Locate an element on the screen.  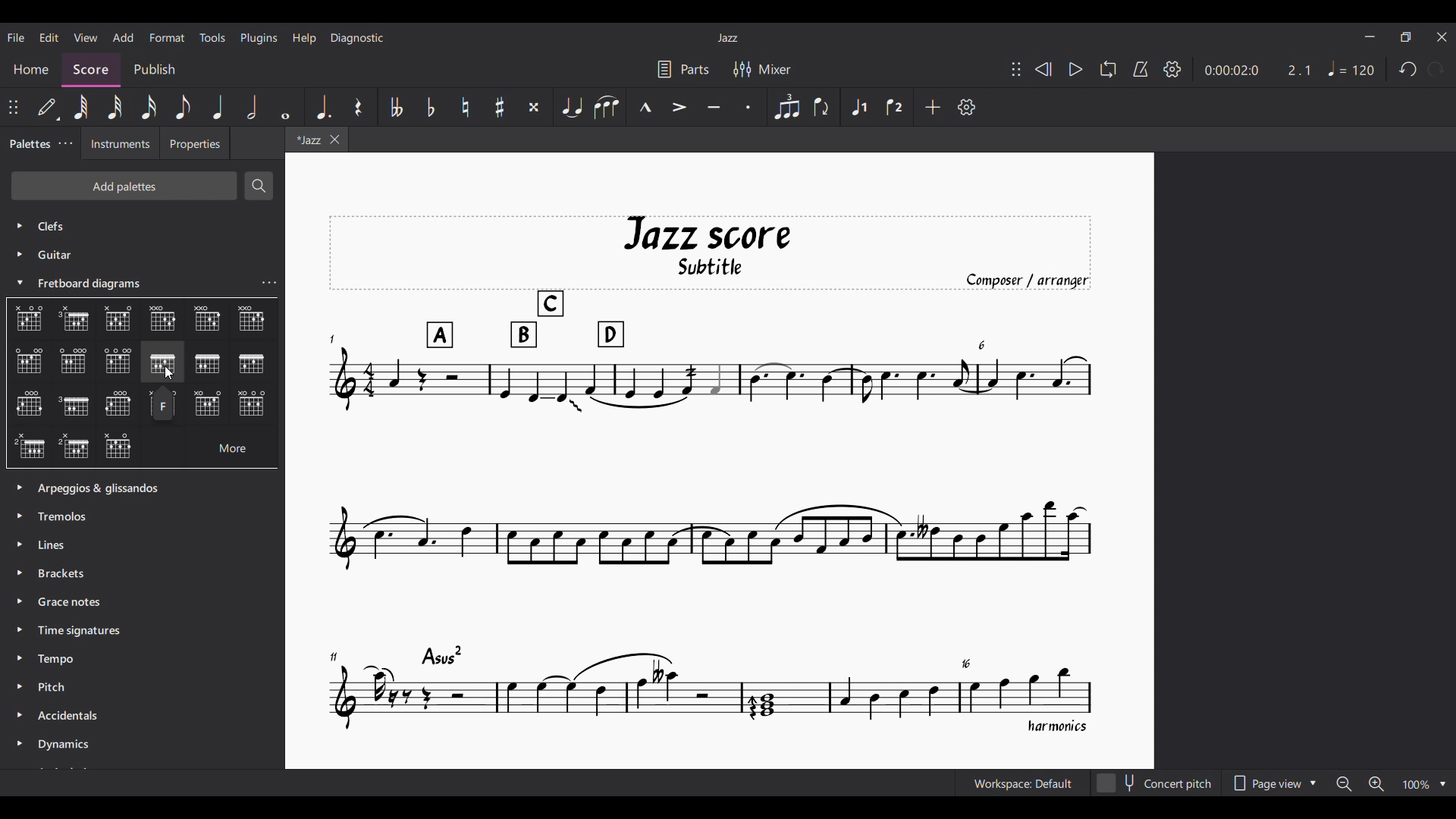
More is located at coordinates (219, 447).